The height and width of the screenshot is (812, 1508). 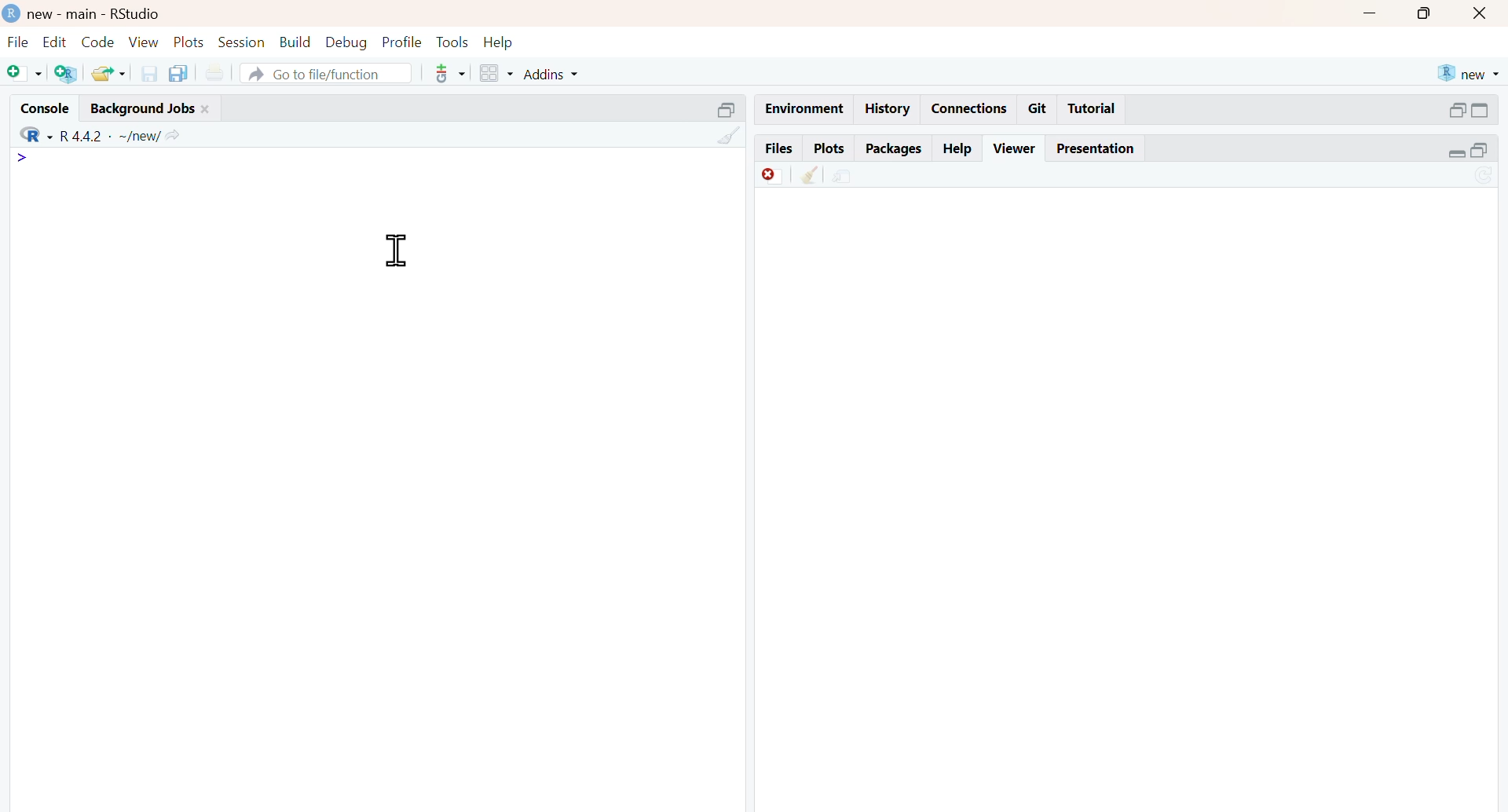 What do you see at coordinates (1479, 110) in the screenshot?
I see `open in separate windowCollapse /expand` at bounding box center [1479, 110].